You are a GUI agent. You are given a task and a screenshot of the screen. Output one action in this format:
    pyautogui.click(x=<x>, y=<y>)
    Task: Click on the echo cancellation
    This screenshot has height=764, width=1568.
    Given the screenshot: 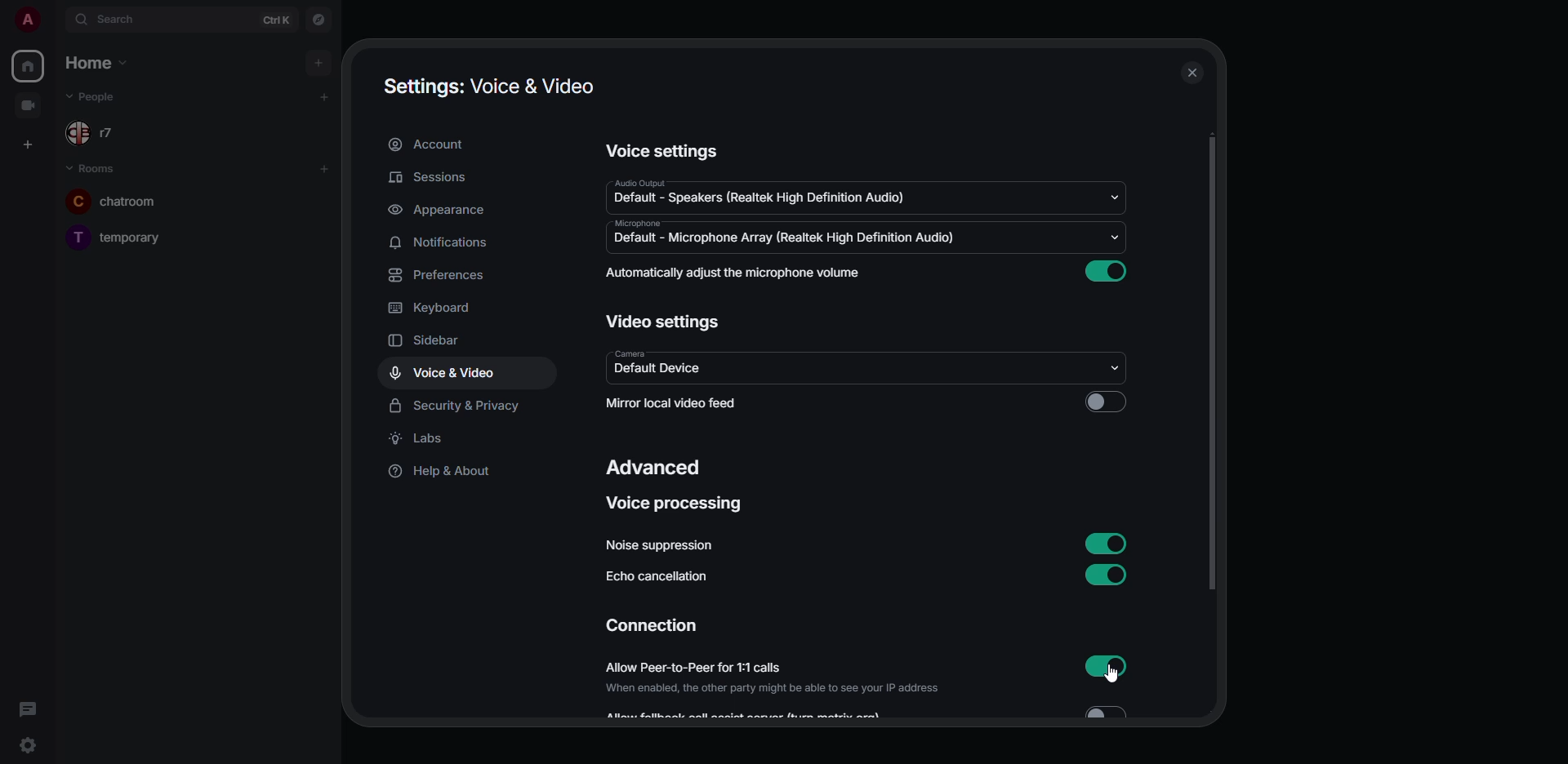 What is the action you would take?
    pyautogui.click(x=655, y=578)
    